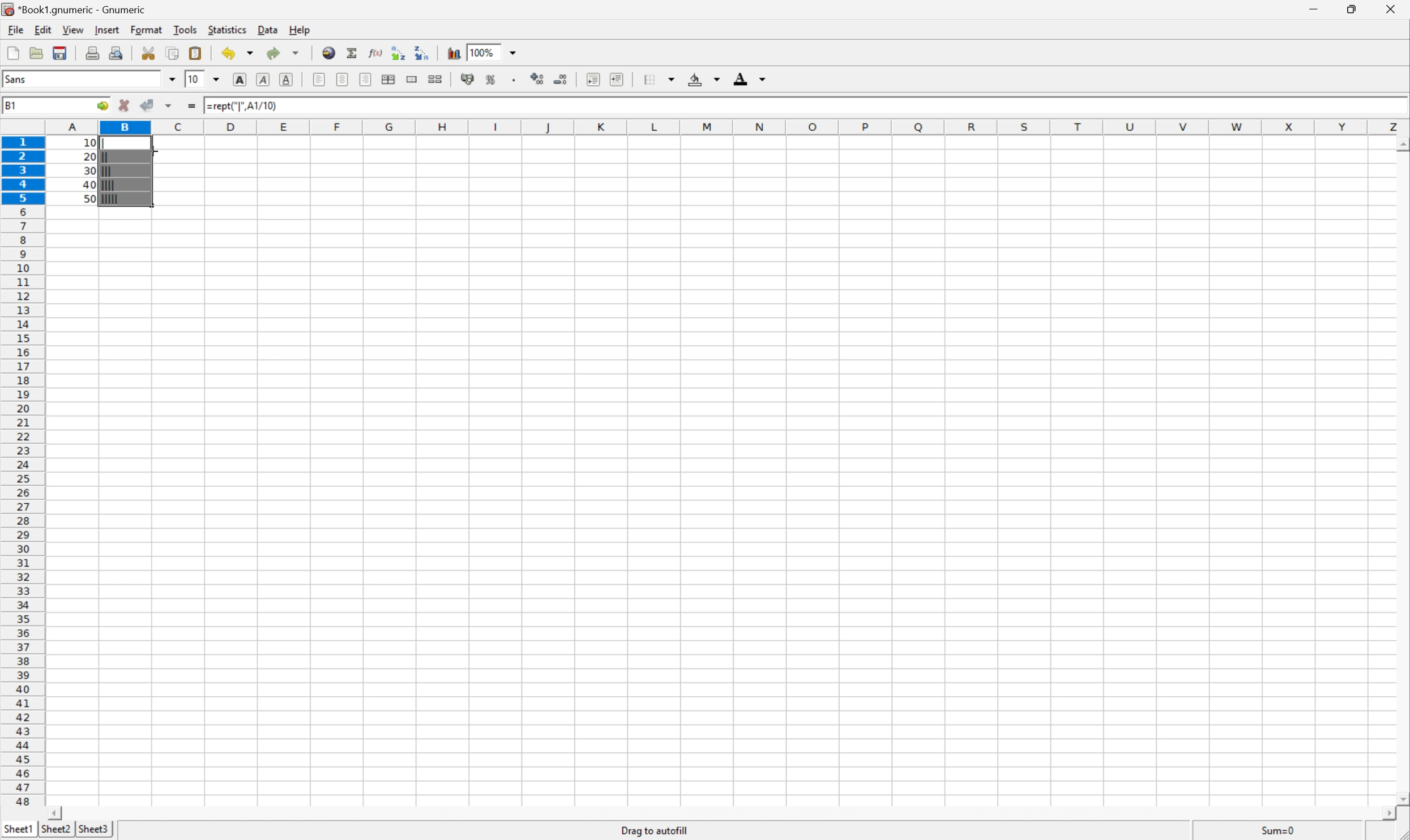 This screenshot has height=840, width=1410. What do you see at coordinates (269, 30) in the screenshot?
I see `Data` at bounding box center [269, 30].